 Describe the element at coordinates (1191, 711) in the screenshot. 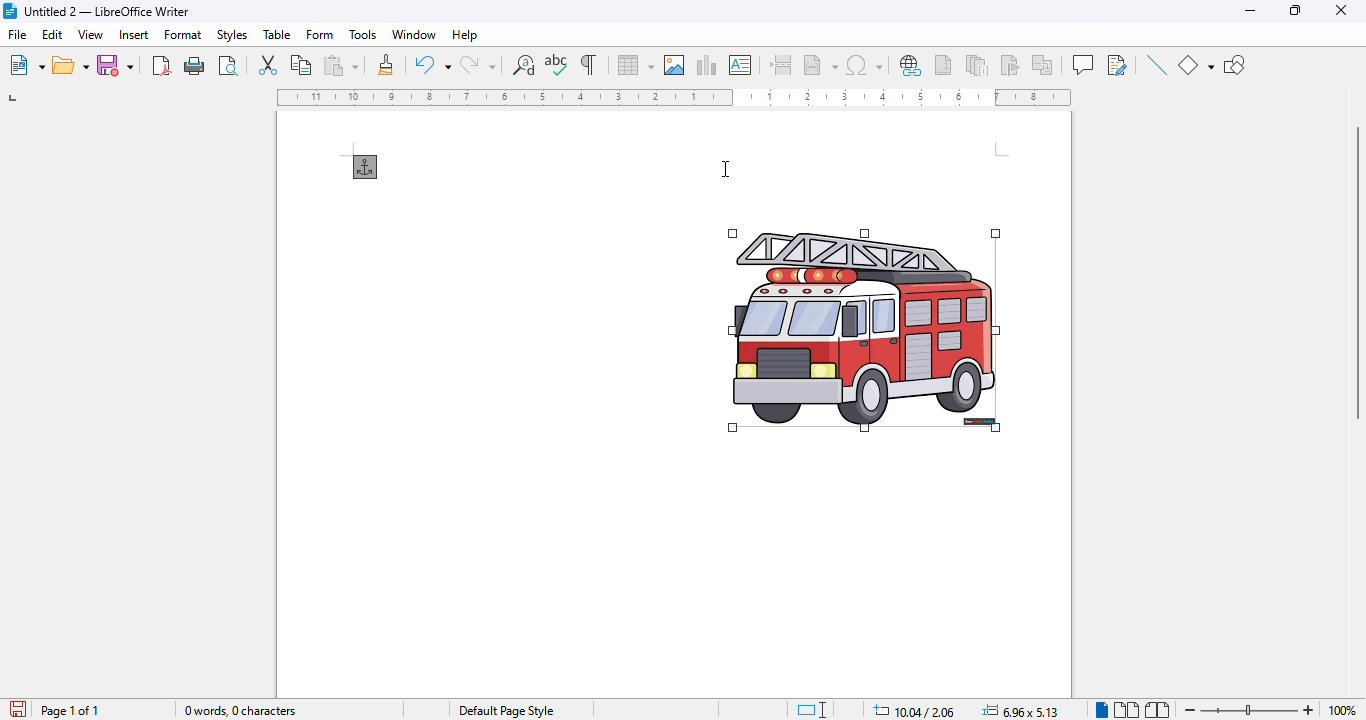

I see `zoom out` at that location.